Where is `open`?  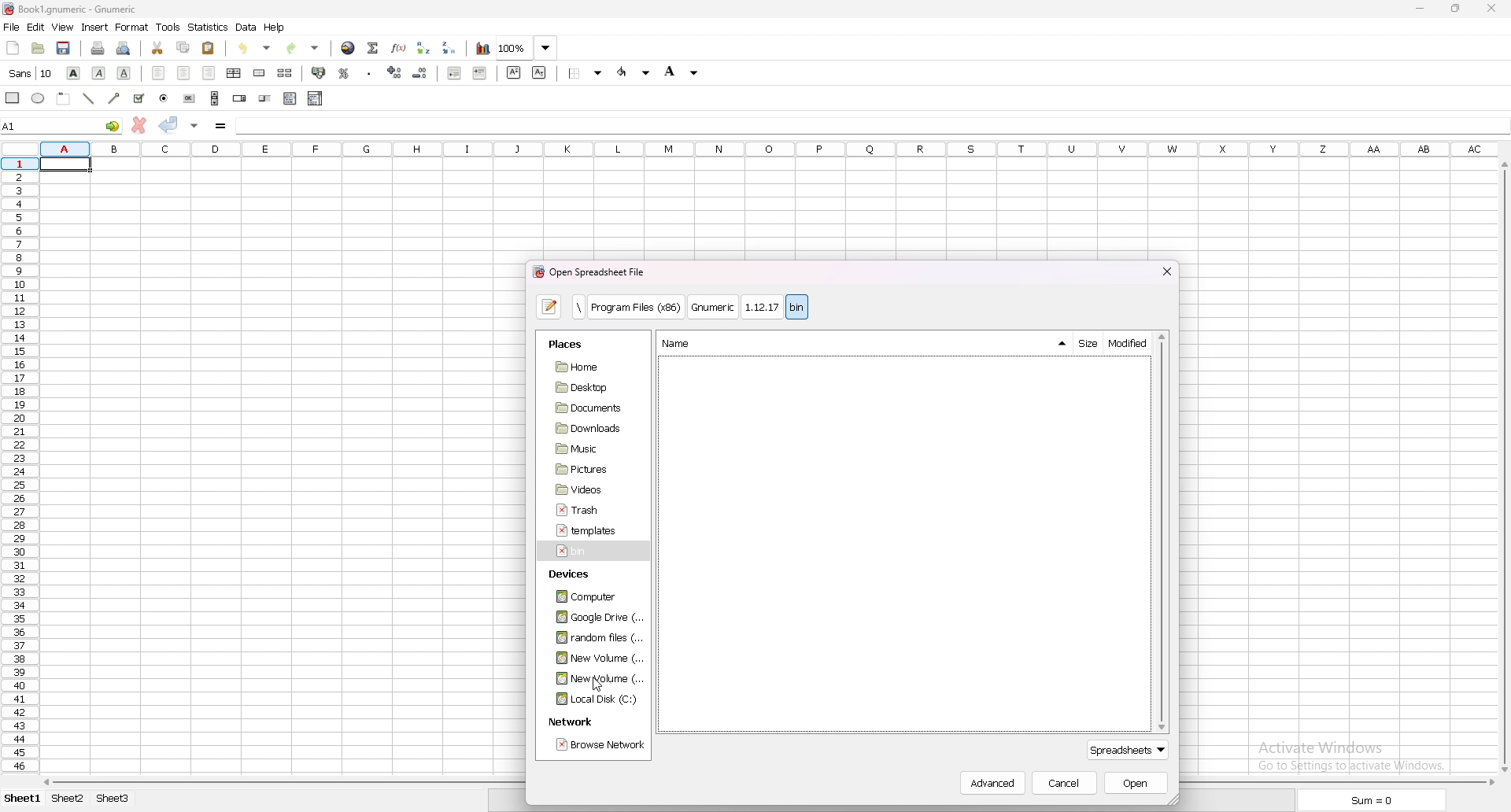
open is located at coordinates (39, 48).